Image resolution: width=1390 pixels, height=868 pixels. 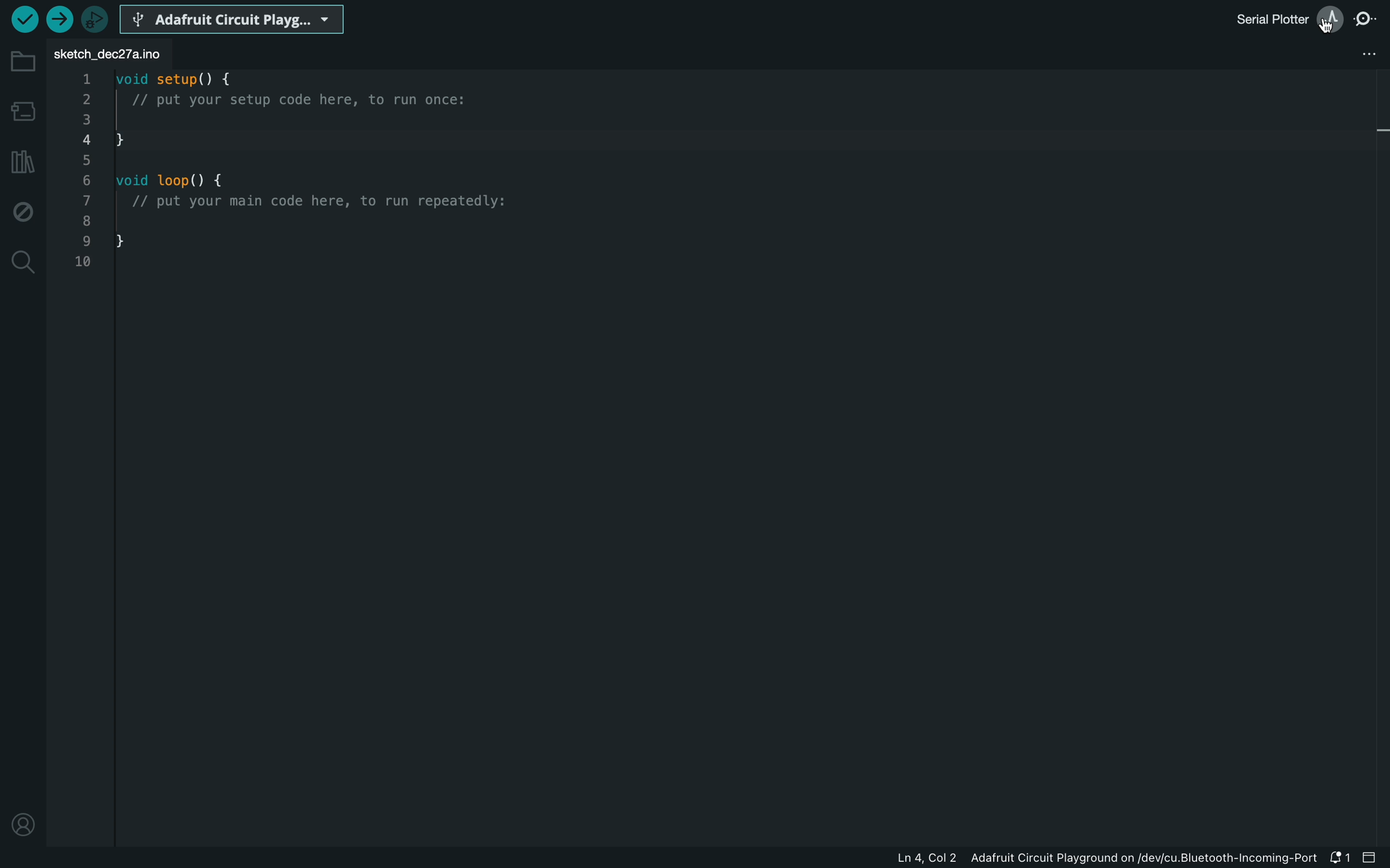 What do you see at coordinates (1288, 17) in the screenshot?
I see `serial plotter` at bounding box center [1288, 17].